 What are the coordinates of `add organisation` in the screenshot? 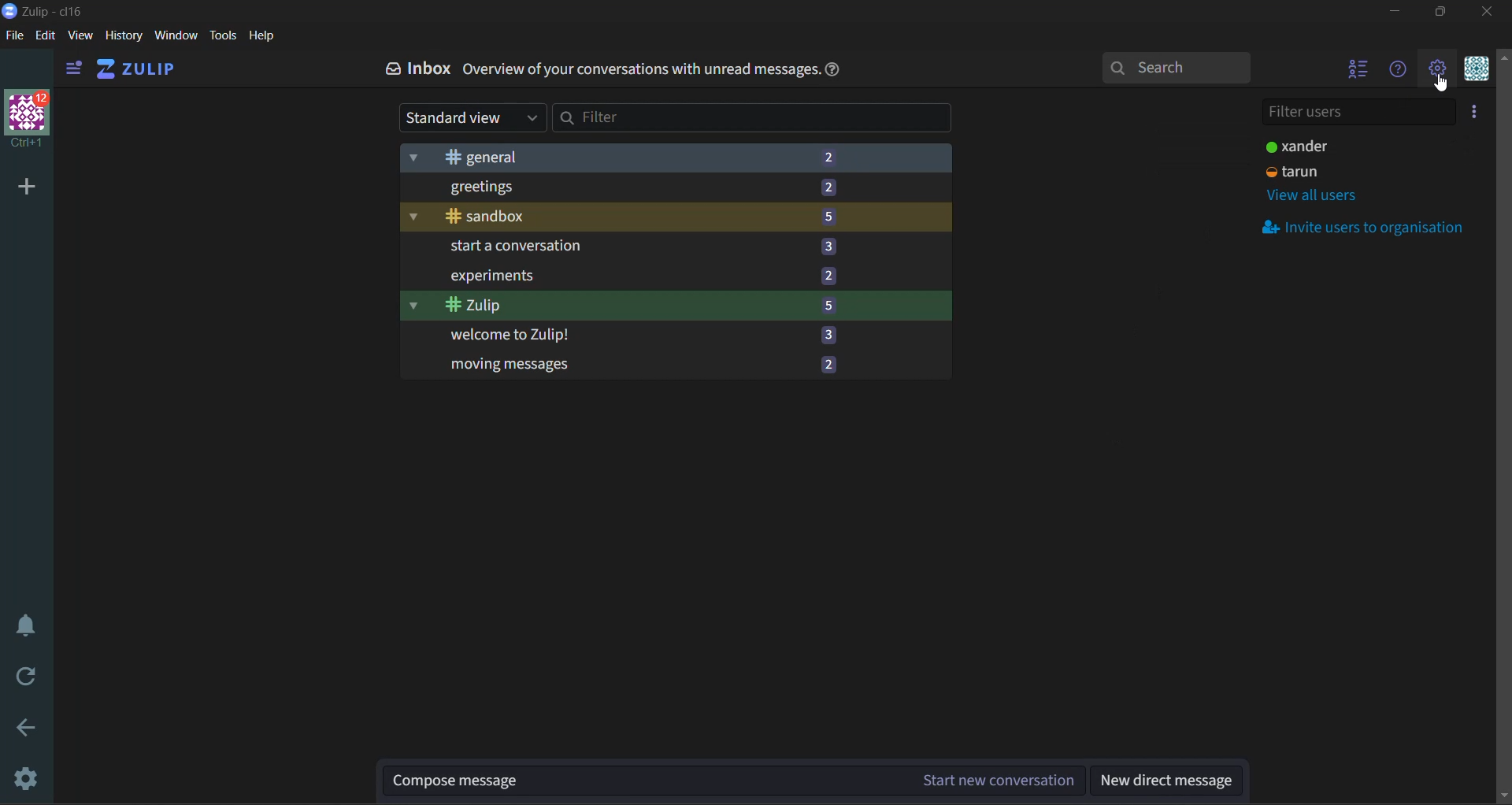 It's located at (24, 187).